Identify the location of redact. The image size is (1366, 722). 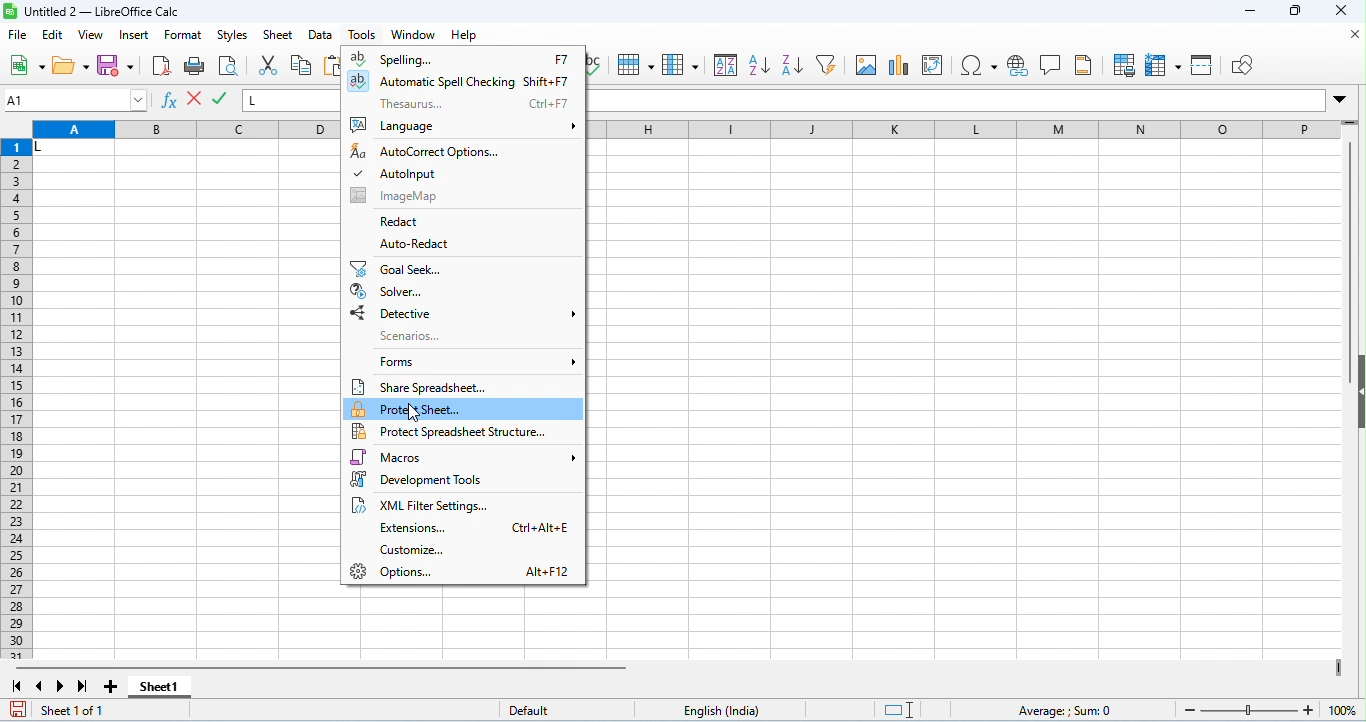
(412, 222).